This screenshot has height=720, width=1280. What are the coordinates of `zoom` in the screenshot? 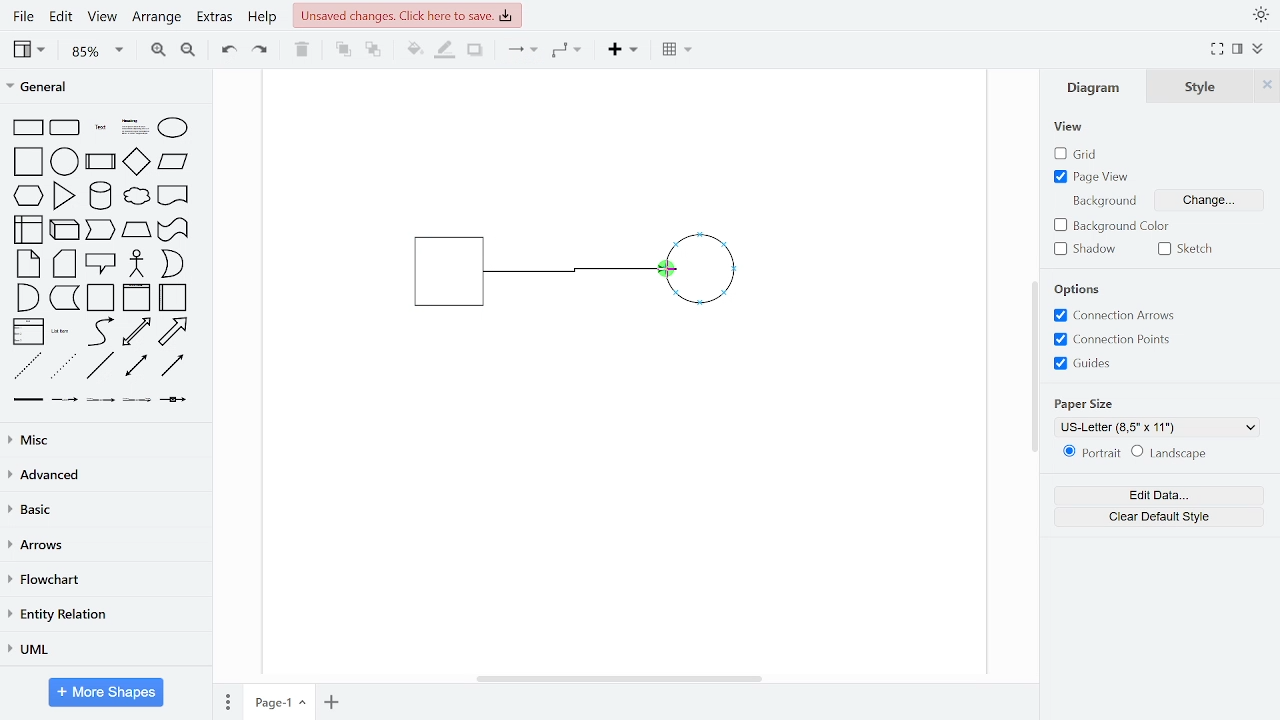 It's located at (98, 50).